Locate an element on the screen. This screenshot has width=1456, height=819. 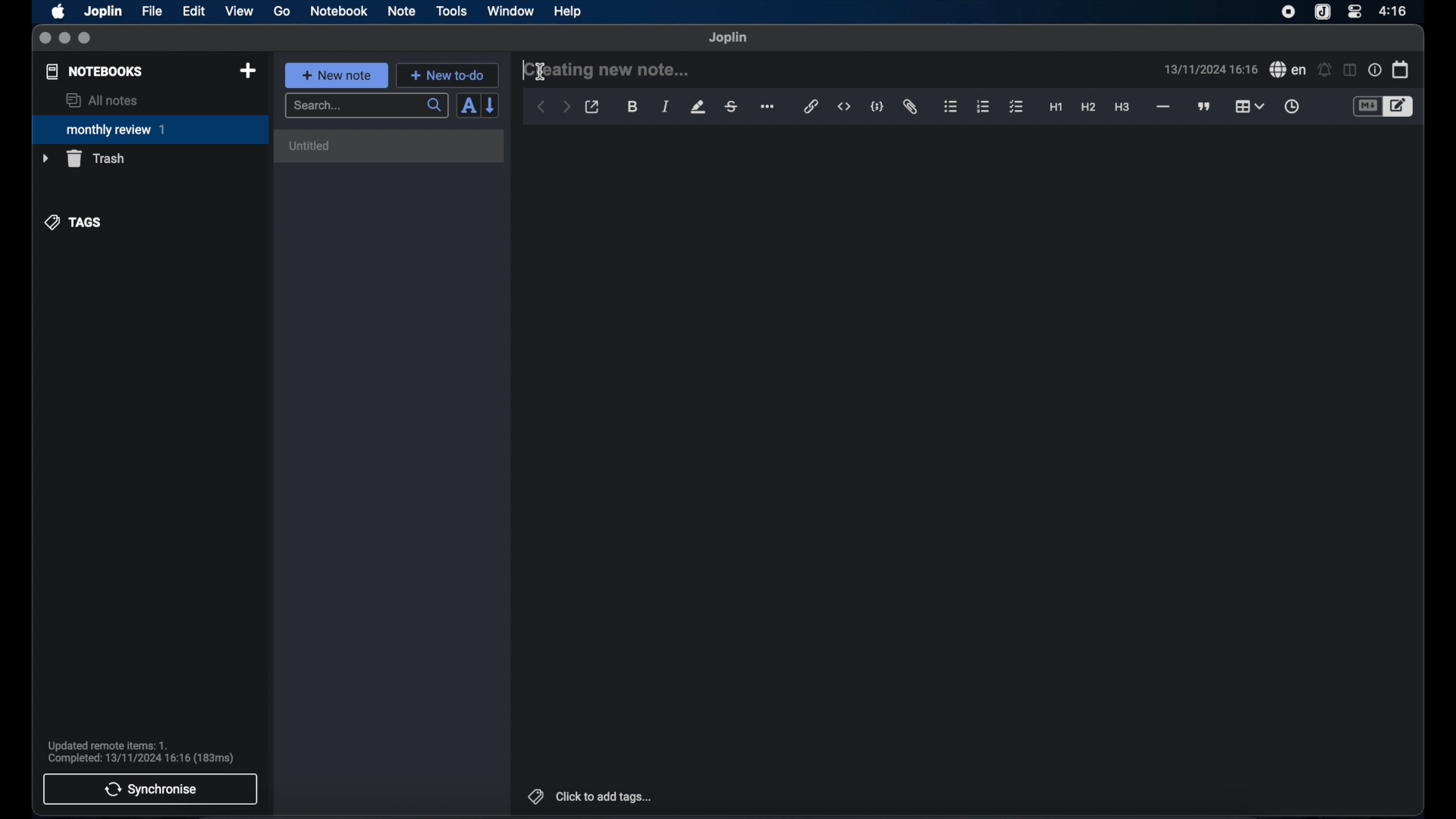
toggle editor layout is located at coordinates (1351, 70).